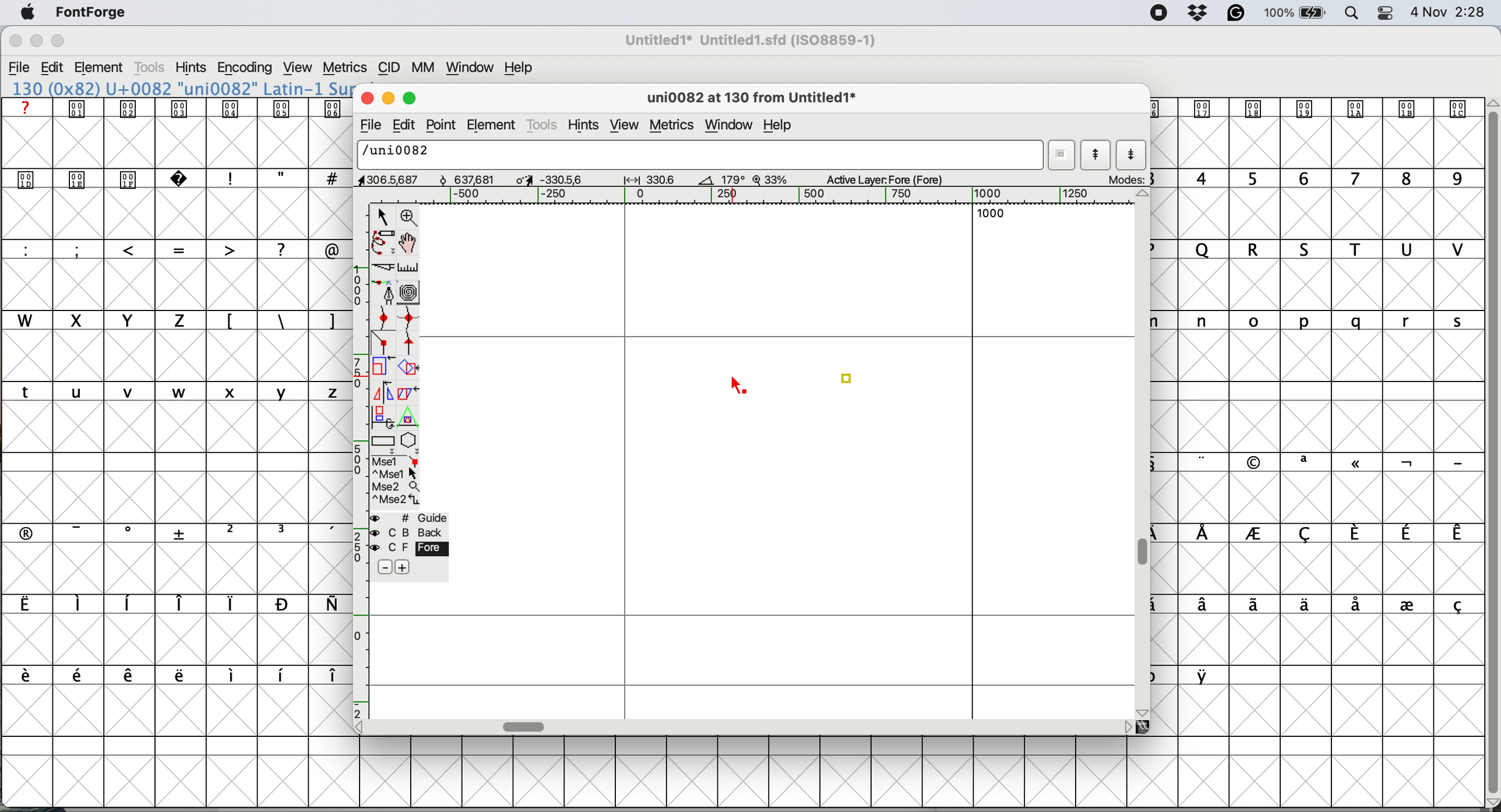 This screenshot has height=812, width=1501. I want to click on lowercase letters, so click(1327, 321).